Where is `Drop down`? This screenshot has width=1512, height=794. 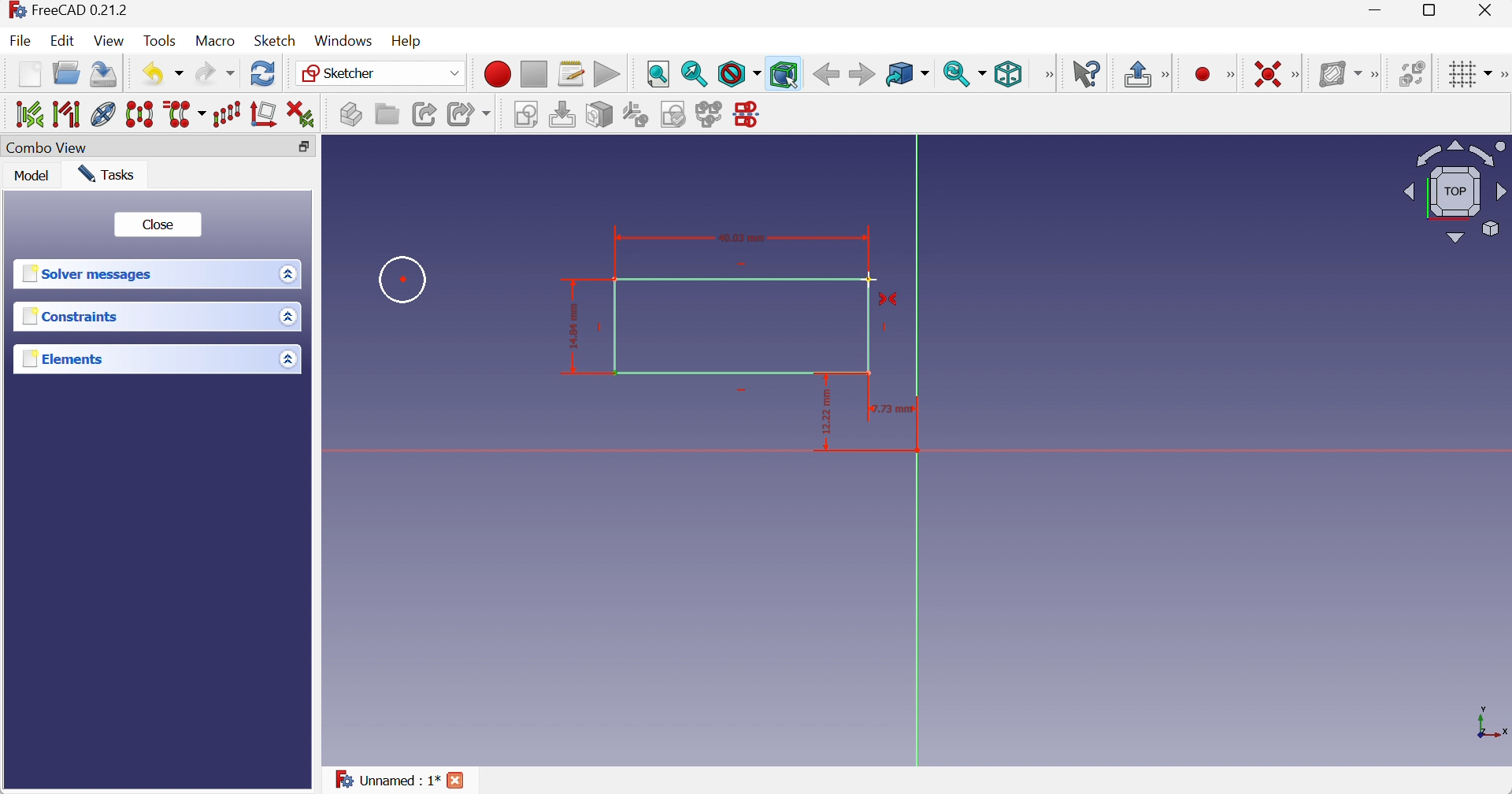
Drop down is located at coordinates (291, 273).